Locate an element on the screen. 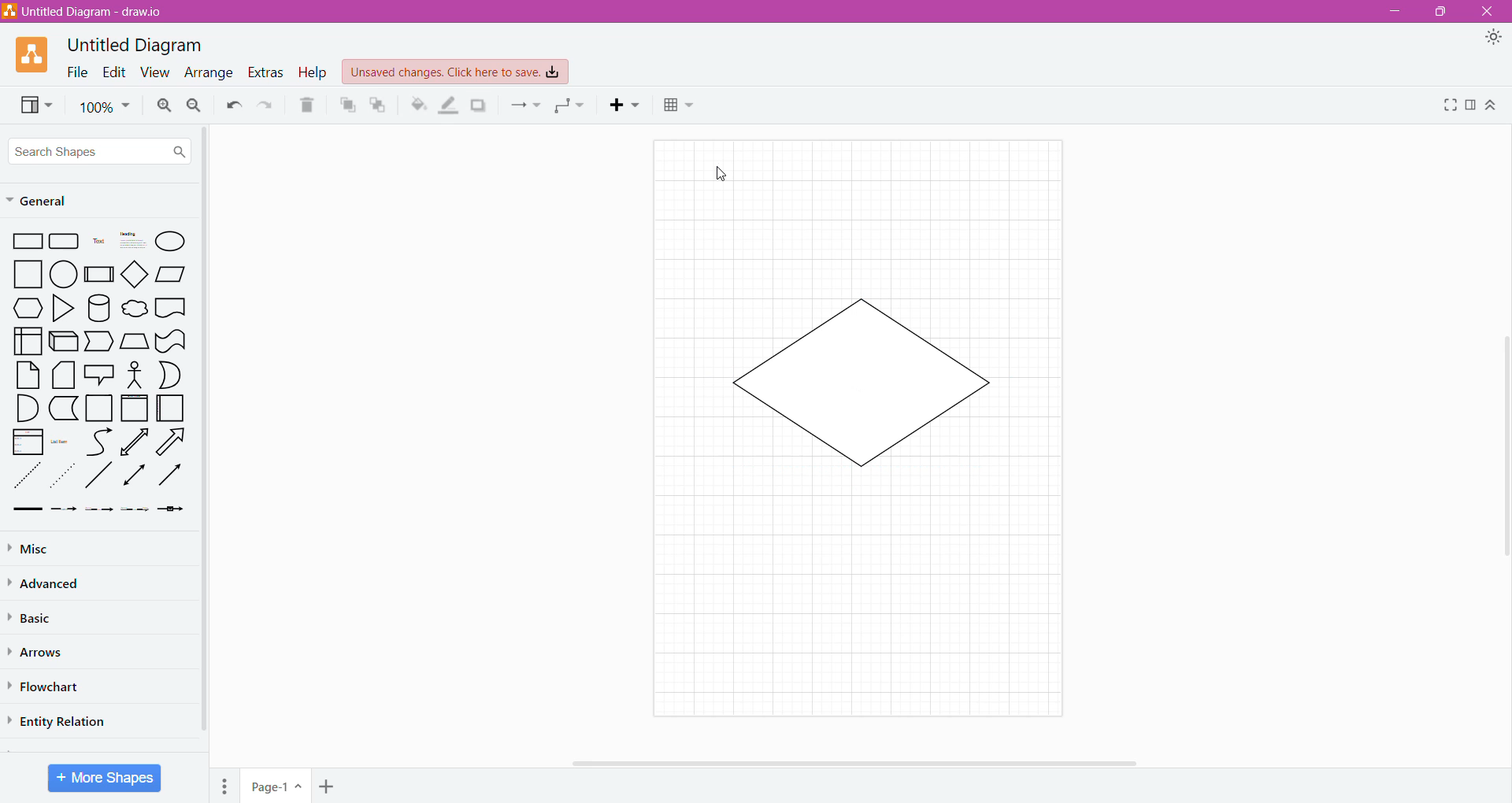 The width and height of the screenshot is (1512, 803). Table is located at coordinates (679, 107).